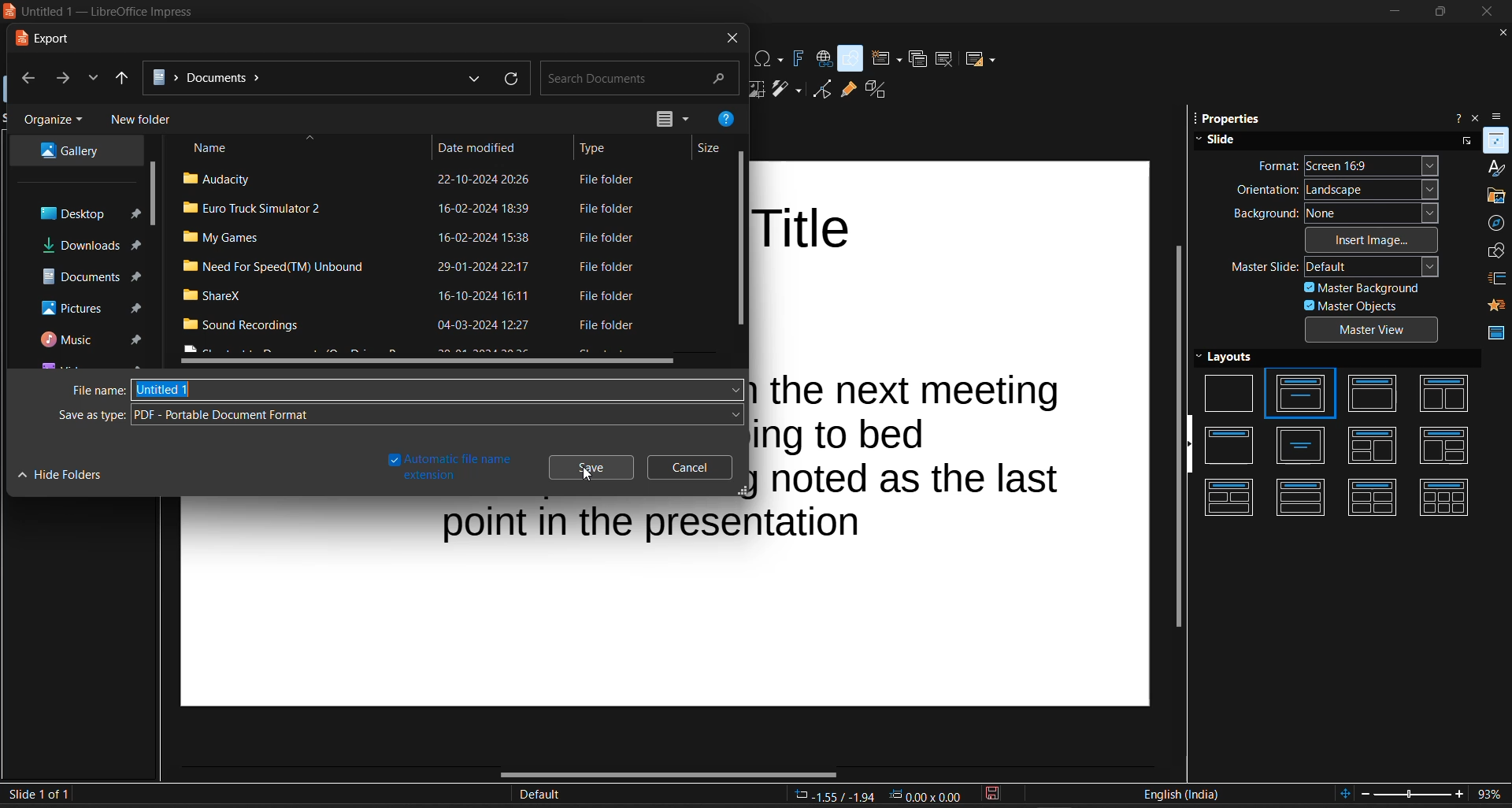 The width and height of the screenshot is (1512, 808). I want to click on ShareX, so click(211, 295).